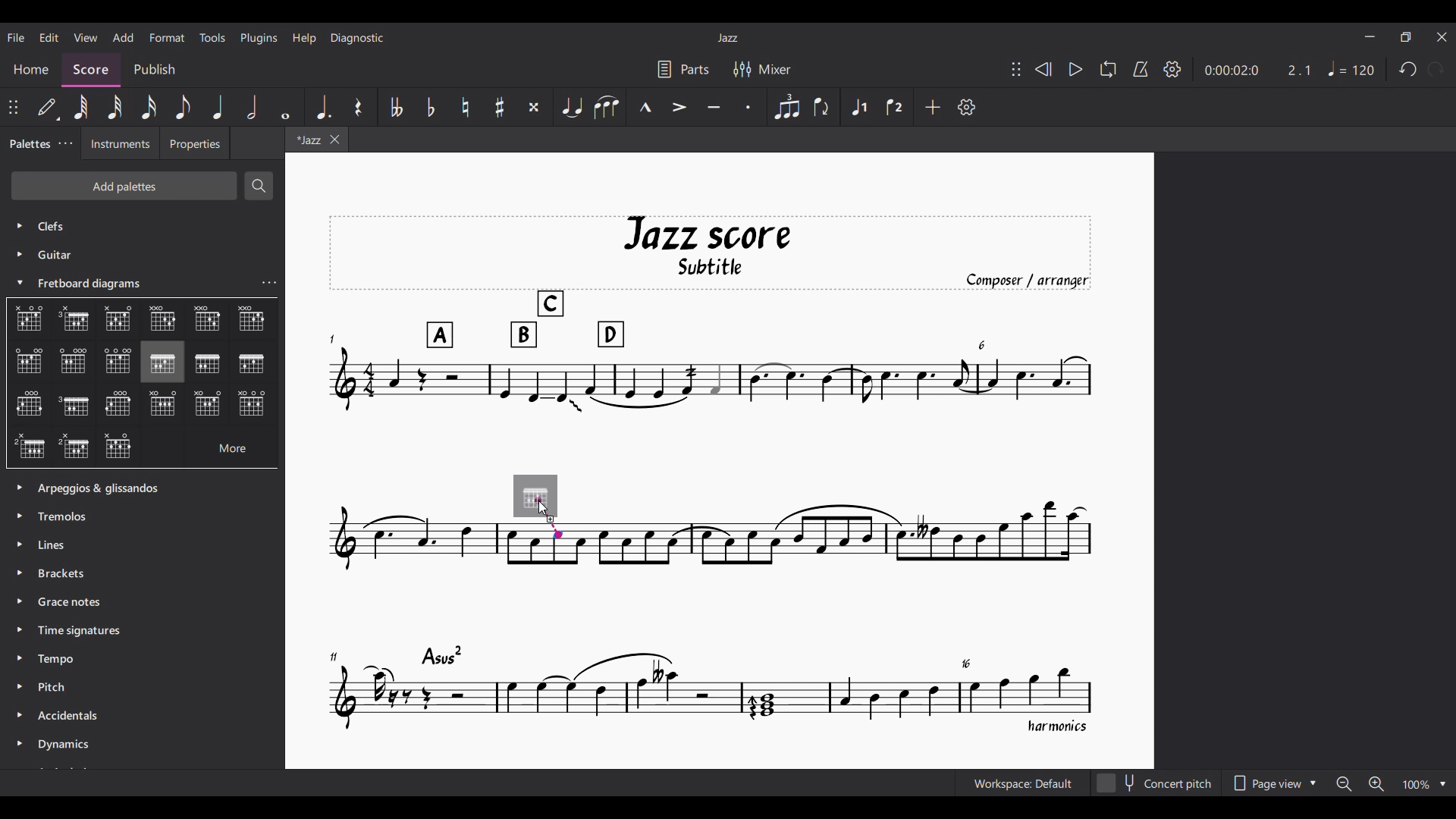  Describe the element at coordinates (1258, 71) in the screenshot. I see `Current duration and ratio` at that location.